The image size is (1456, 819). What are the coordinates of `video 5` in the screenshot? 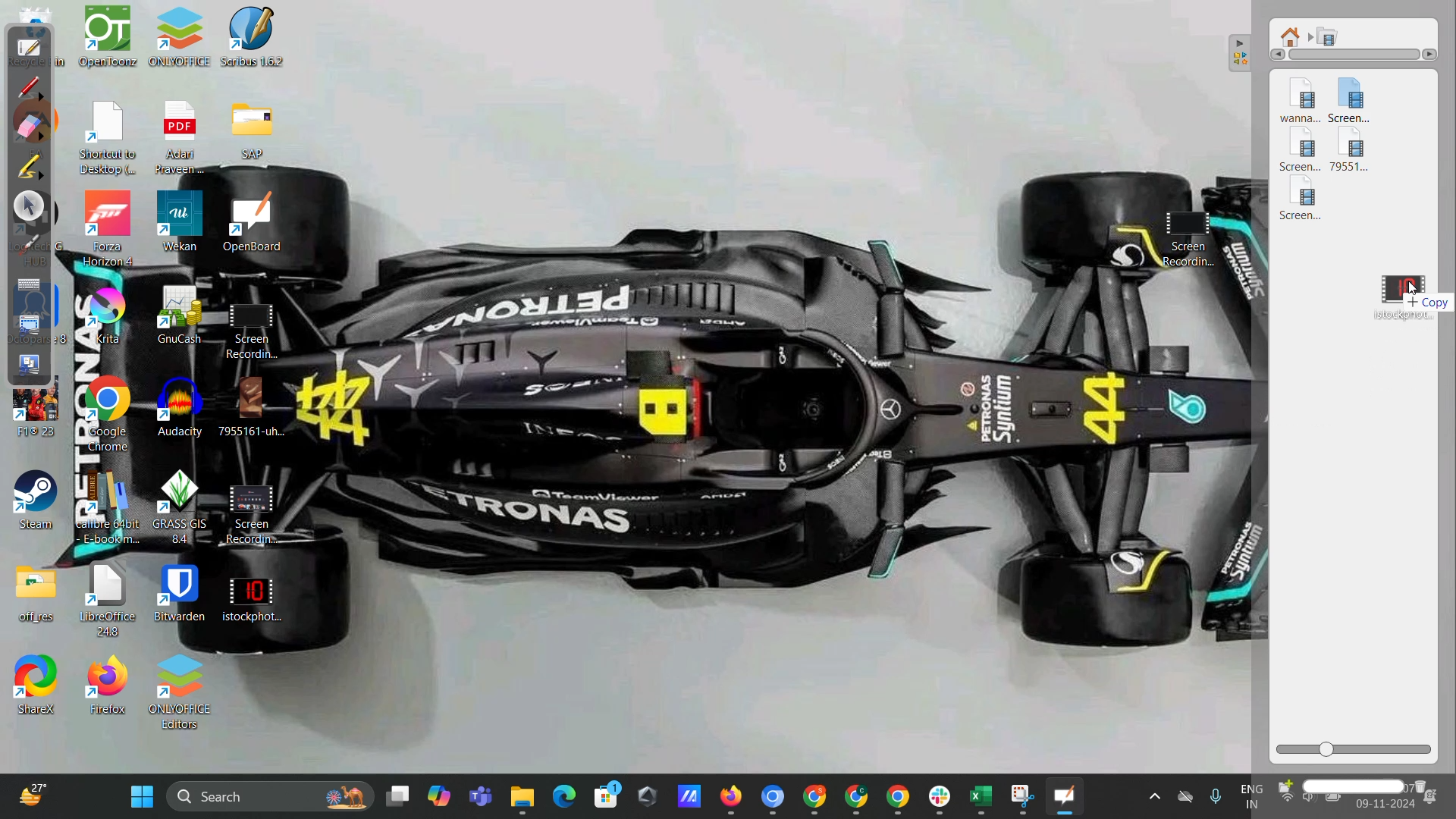 It's located at (1307, 203).